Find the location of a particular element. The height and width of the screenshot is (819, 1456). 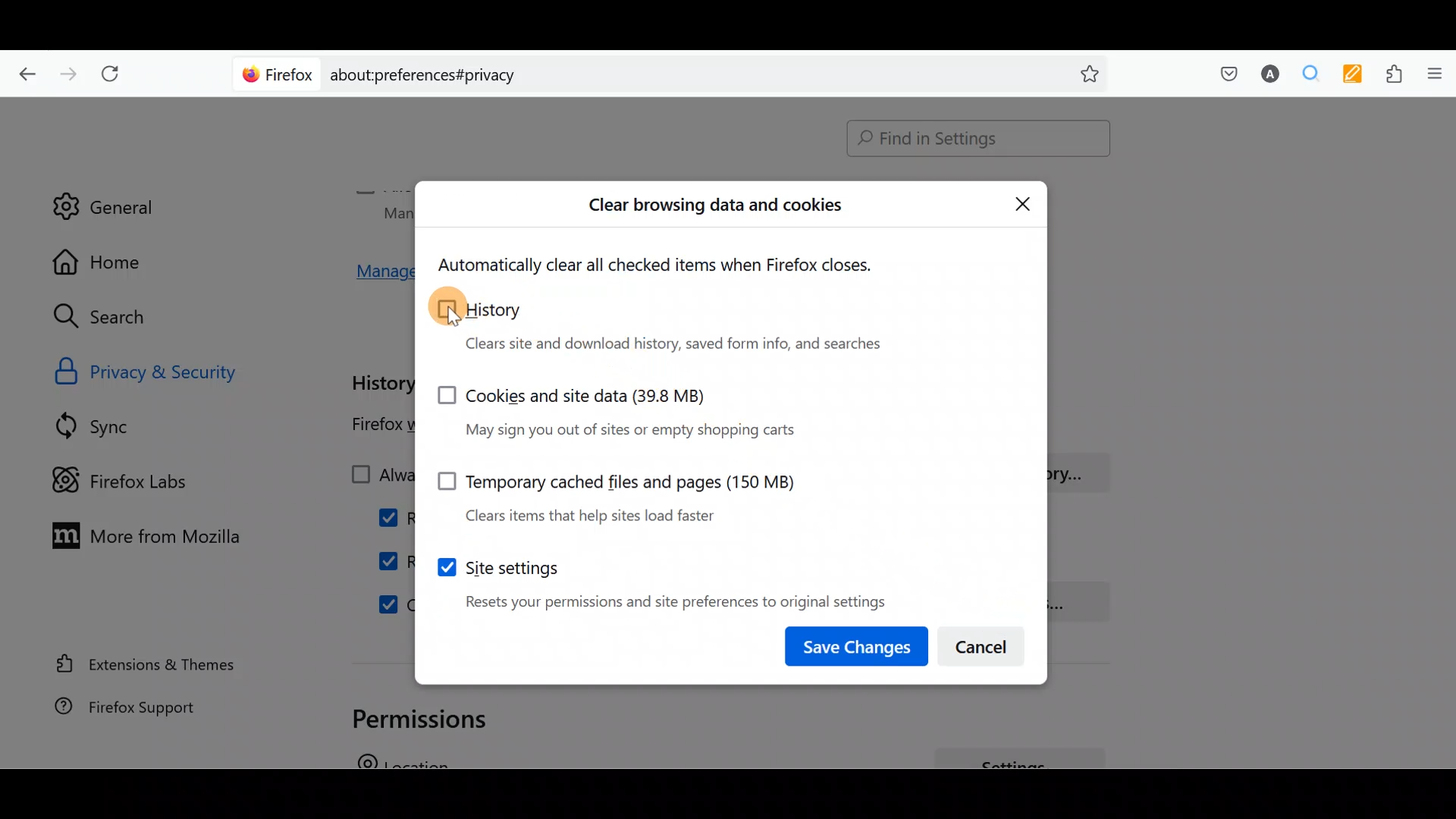

Go back one page is located at coordinates (24, 72).